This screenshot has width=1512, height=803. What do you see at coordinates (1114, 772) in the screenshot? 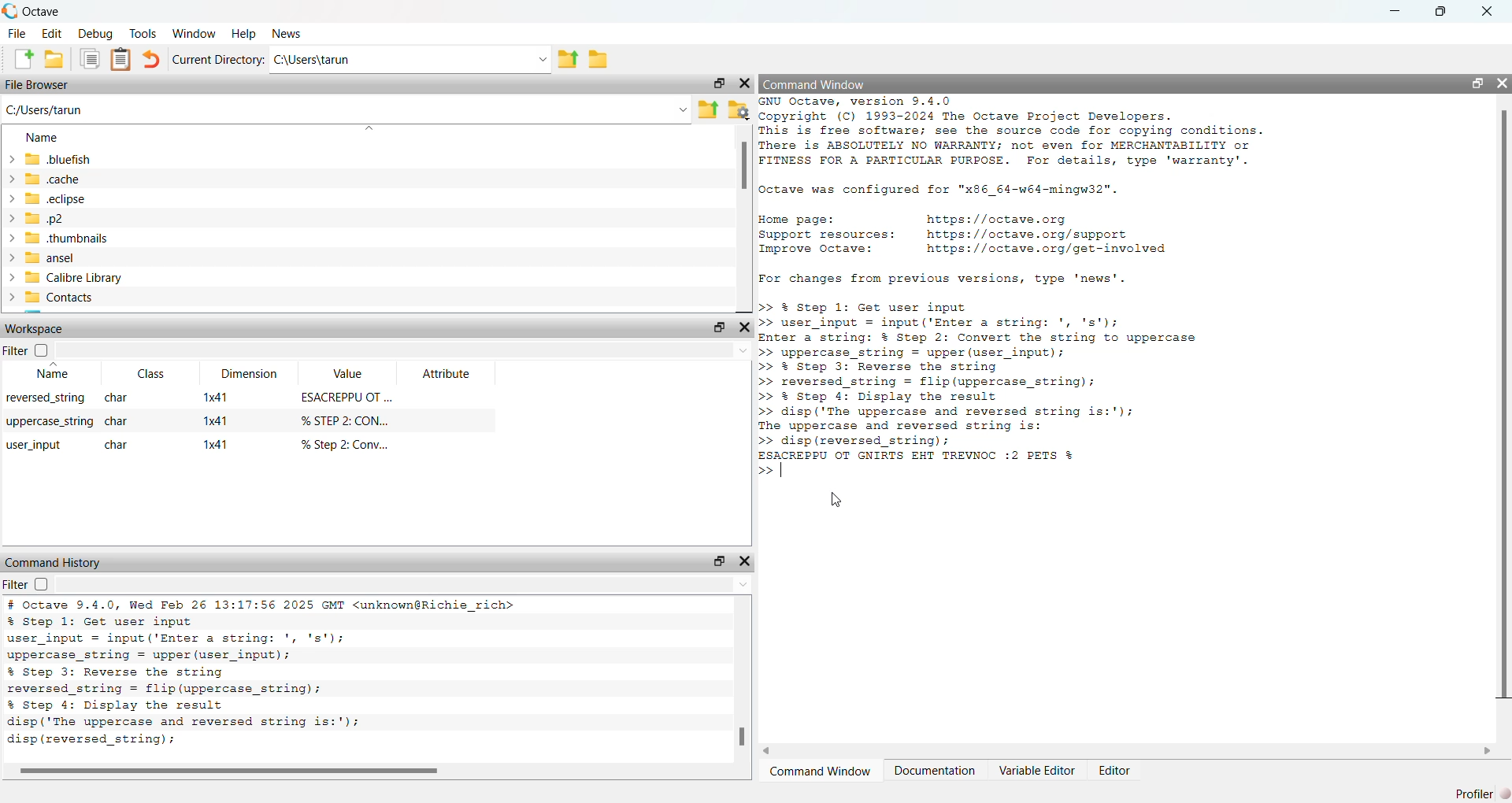
I see `editor` at bounding box center [1114, 772].